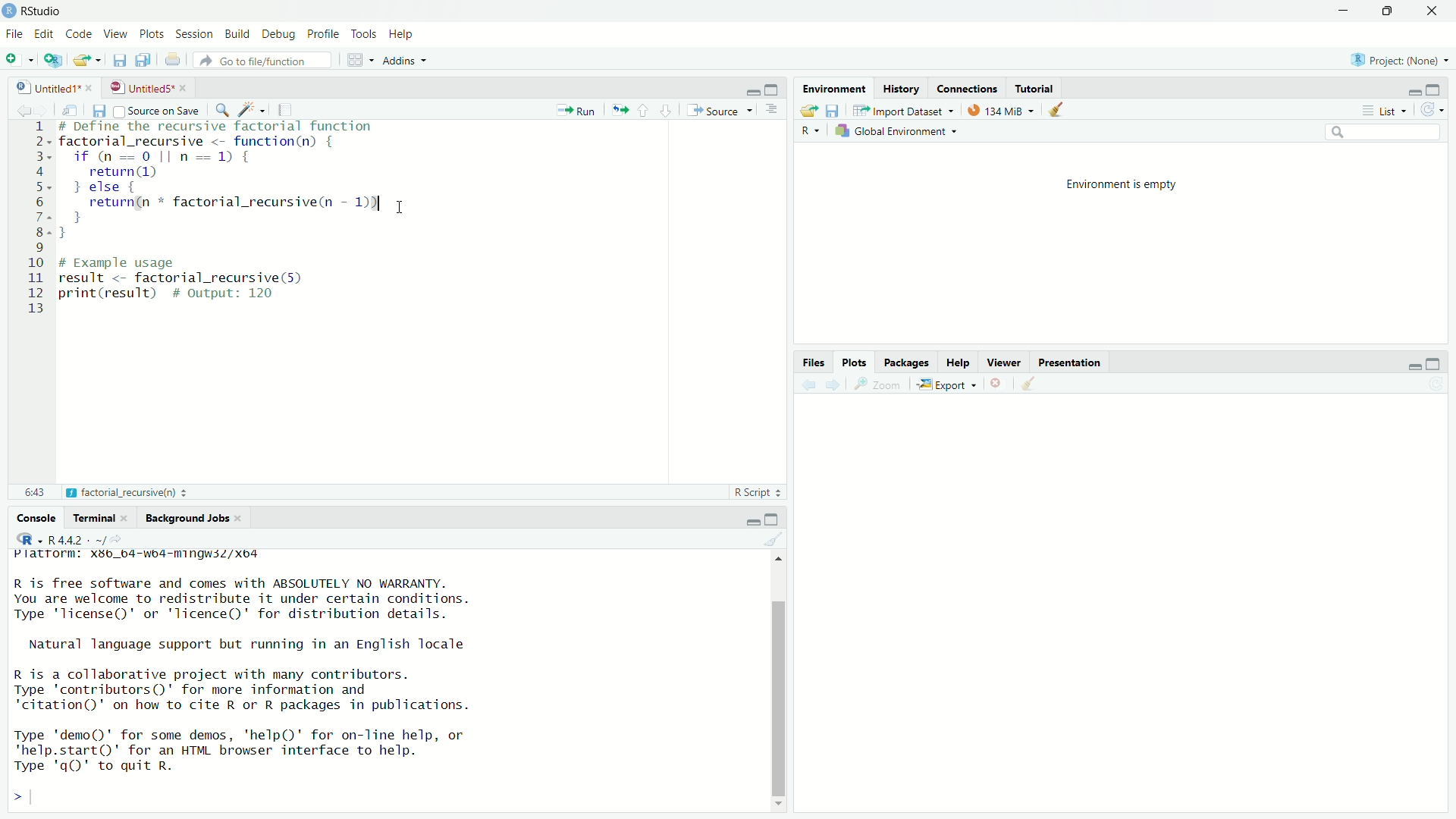 This screenshot has height=819, width=1456. I want to click on Refresh current plot, so click(1435, 384).